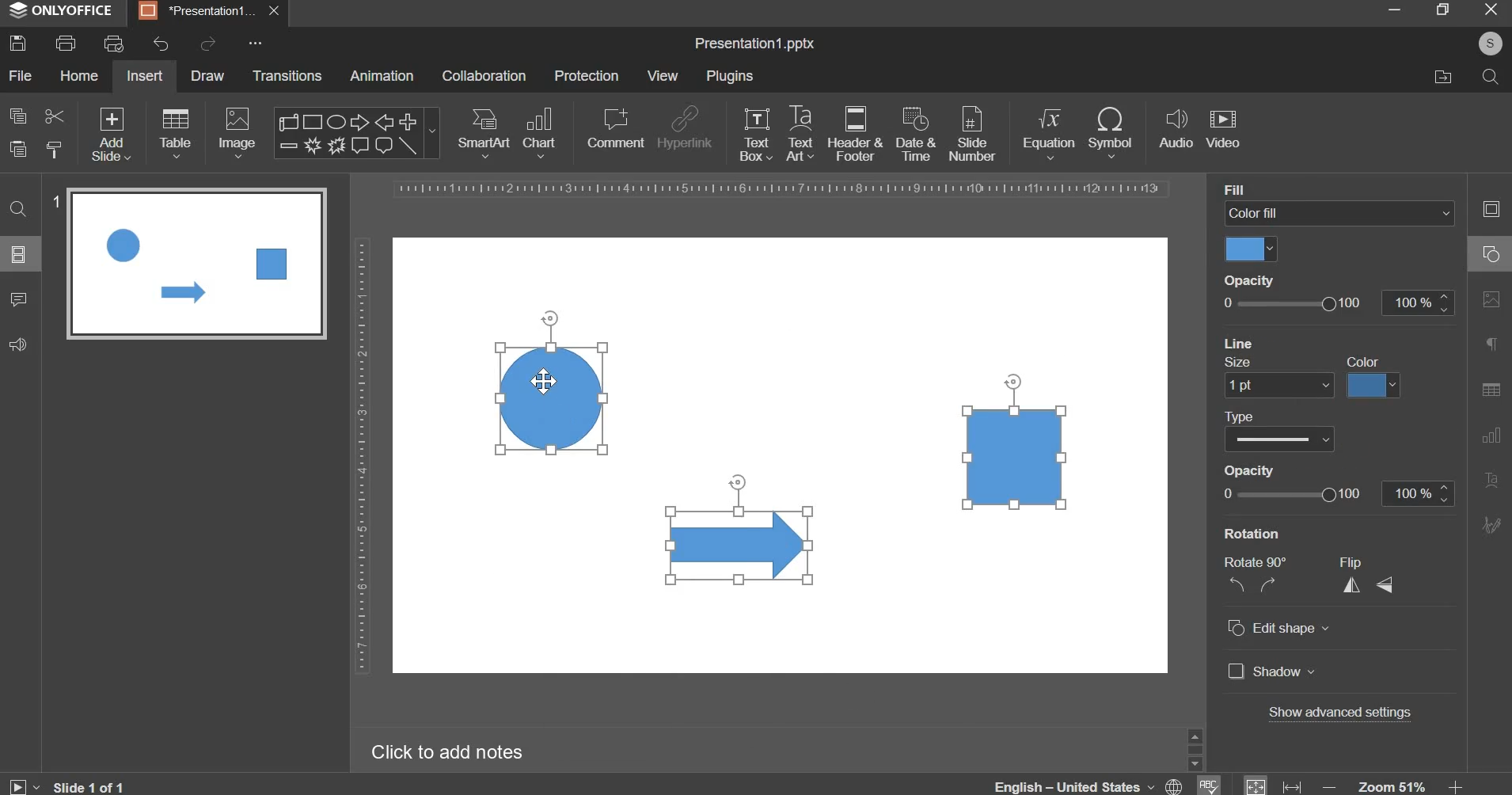  What do you see at coordinates (1234, 587) in the screenshot?
I see `rotate left 90` at bounding box center [1234, 587].